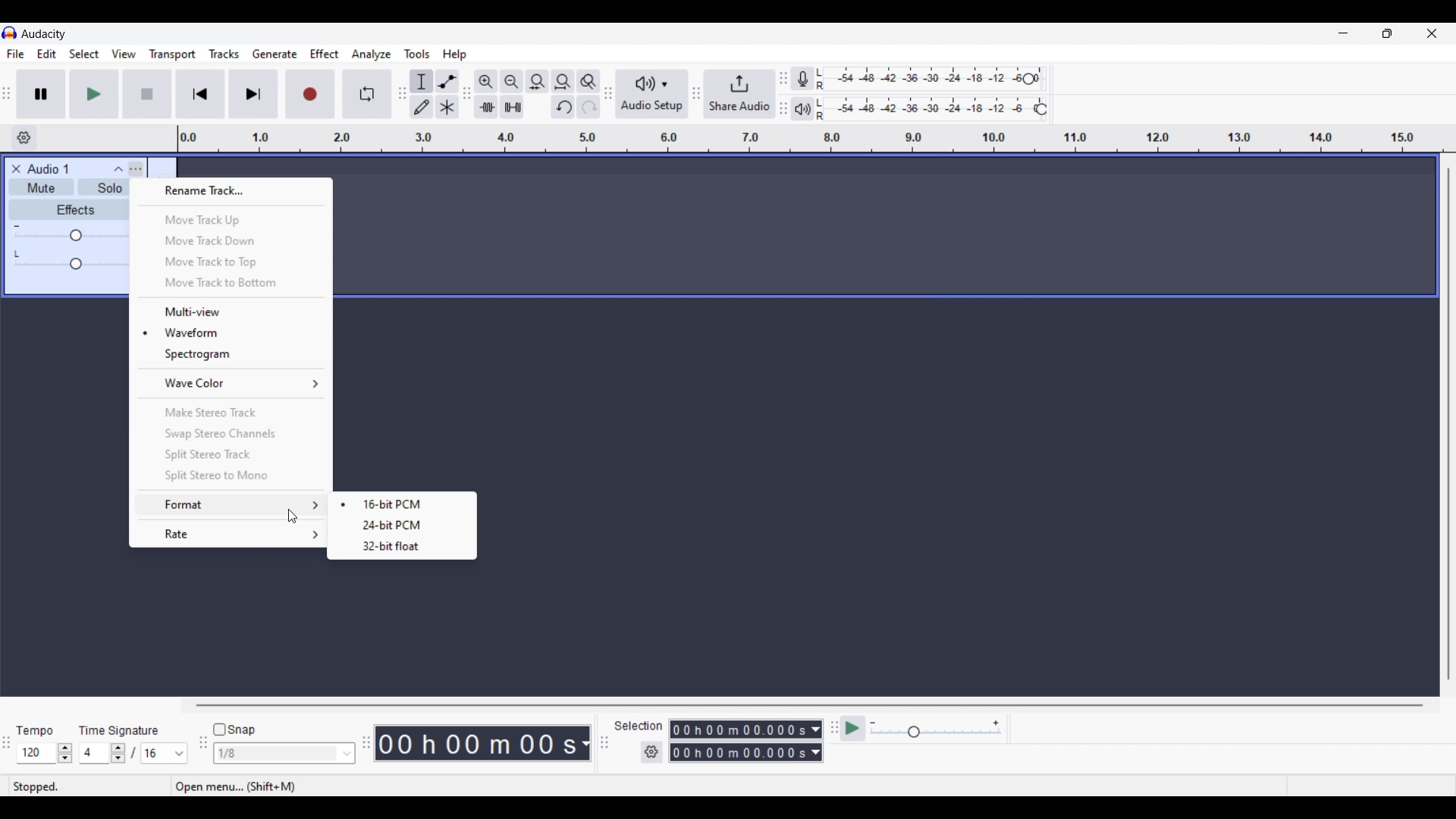 This screenshot has width=1456, height=819. What do you see at coordinates (41, 93) in the screenshot?
I see `Pause` at bounding box center [41, 93].